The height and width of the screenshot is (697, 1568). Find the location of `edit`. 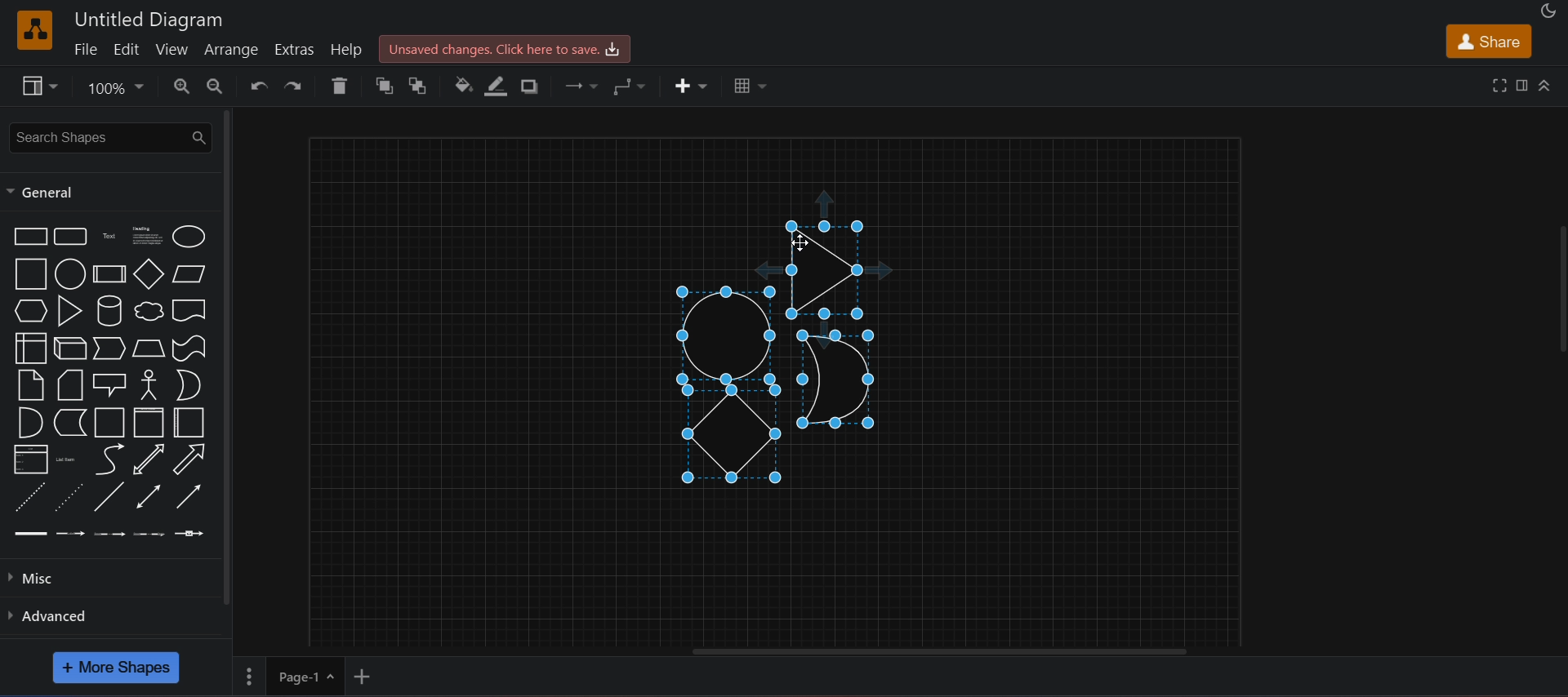

edit is located at coordinates (128, 49).